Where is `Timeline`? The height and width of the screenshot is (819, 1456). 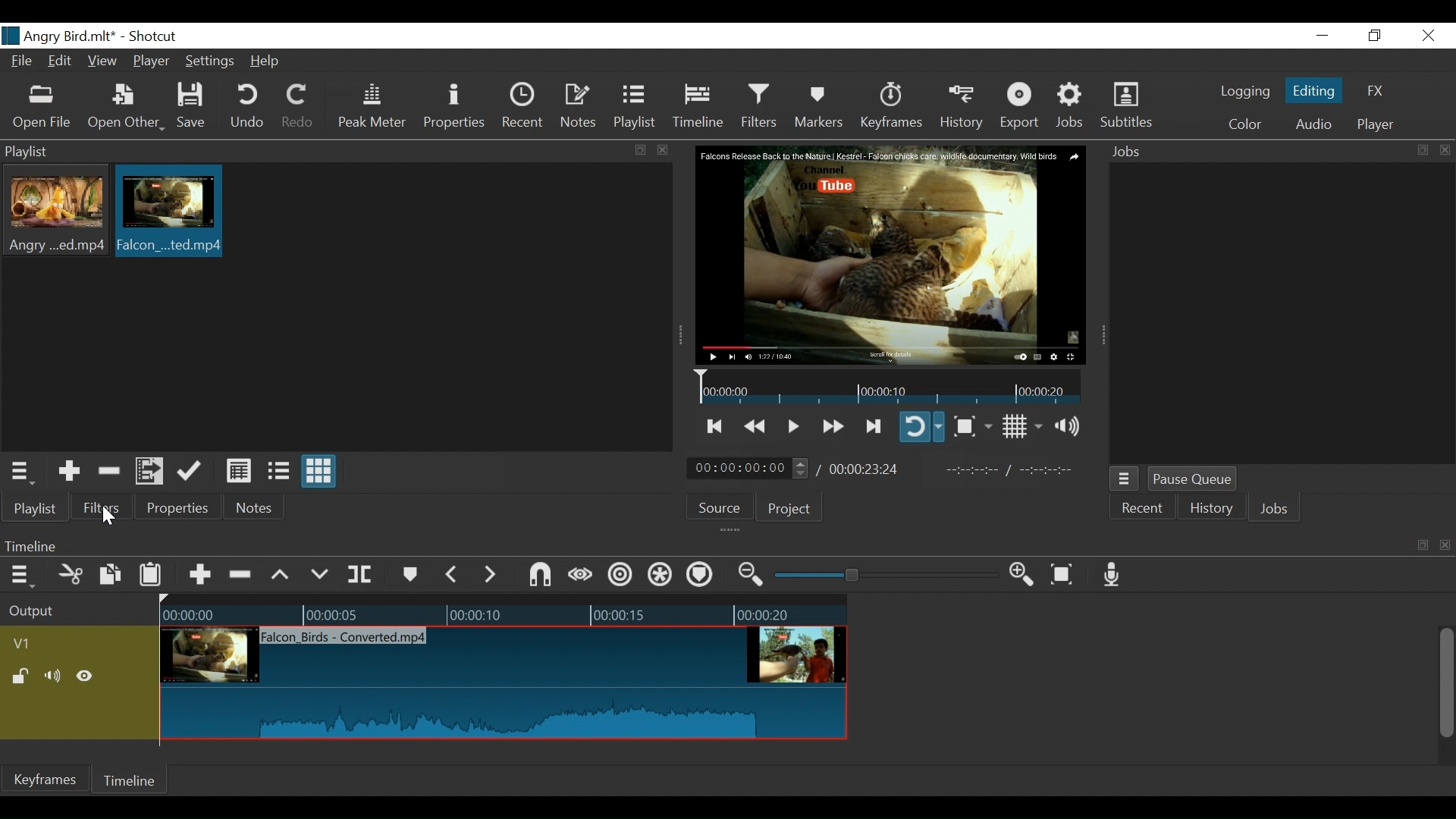 Timeline is located at coordinates (127, 783).